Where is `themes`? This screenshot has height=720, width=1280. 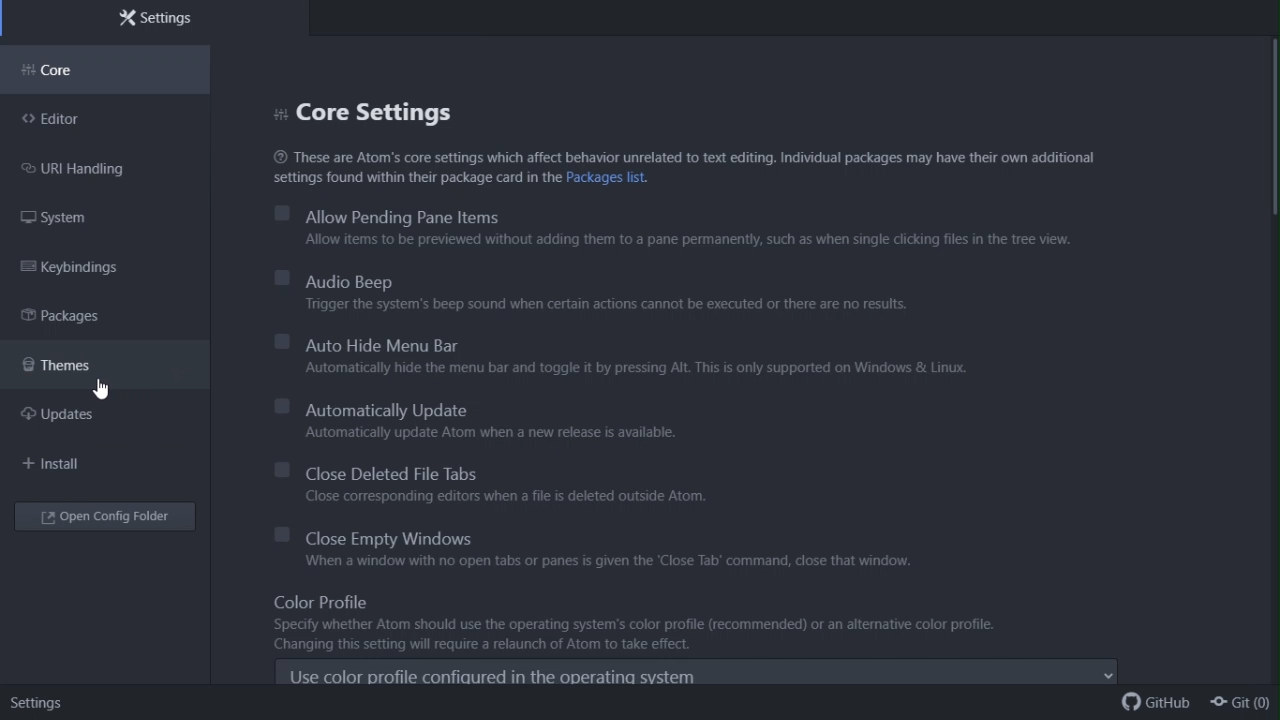
themes is located at coordinates (75, 362).